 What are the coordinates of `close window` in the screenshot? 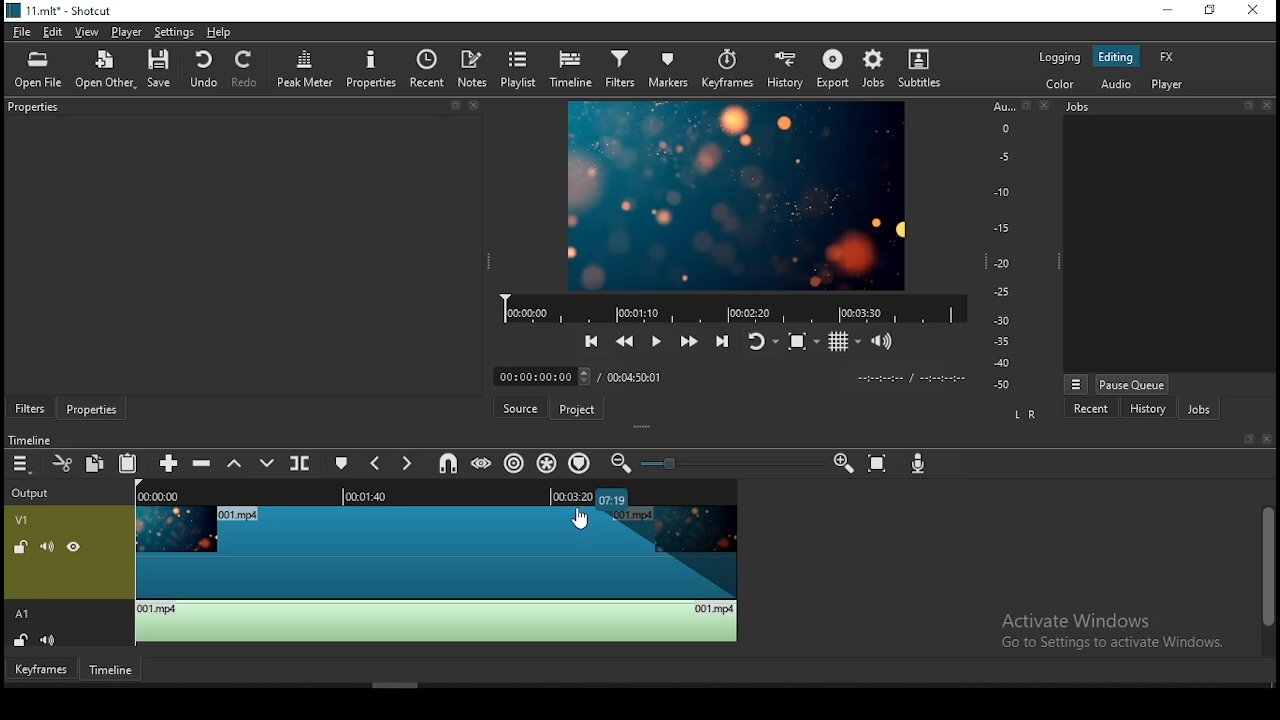 It's located at (1251, 11).